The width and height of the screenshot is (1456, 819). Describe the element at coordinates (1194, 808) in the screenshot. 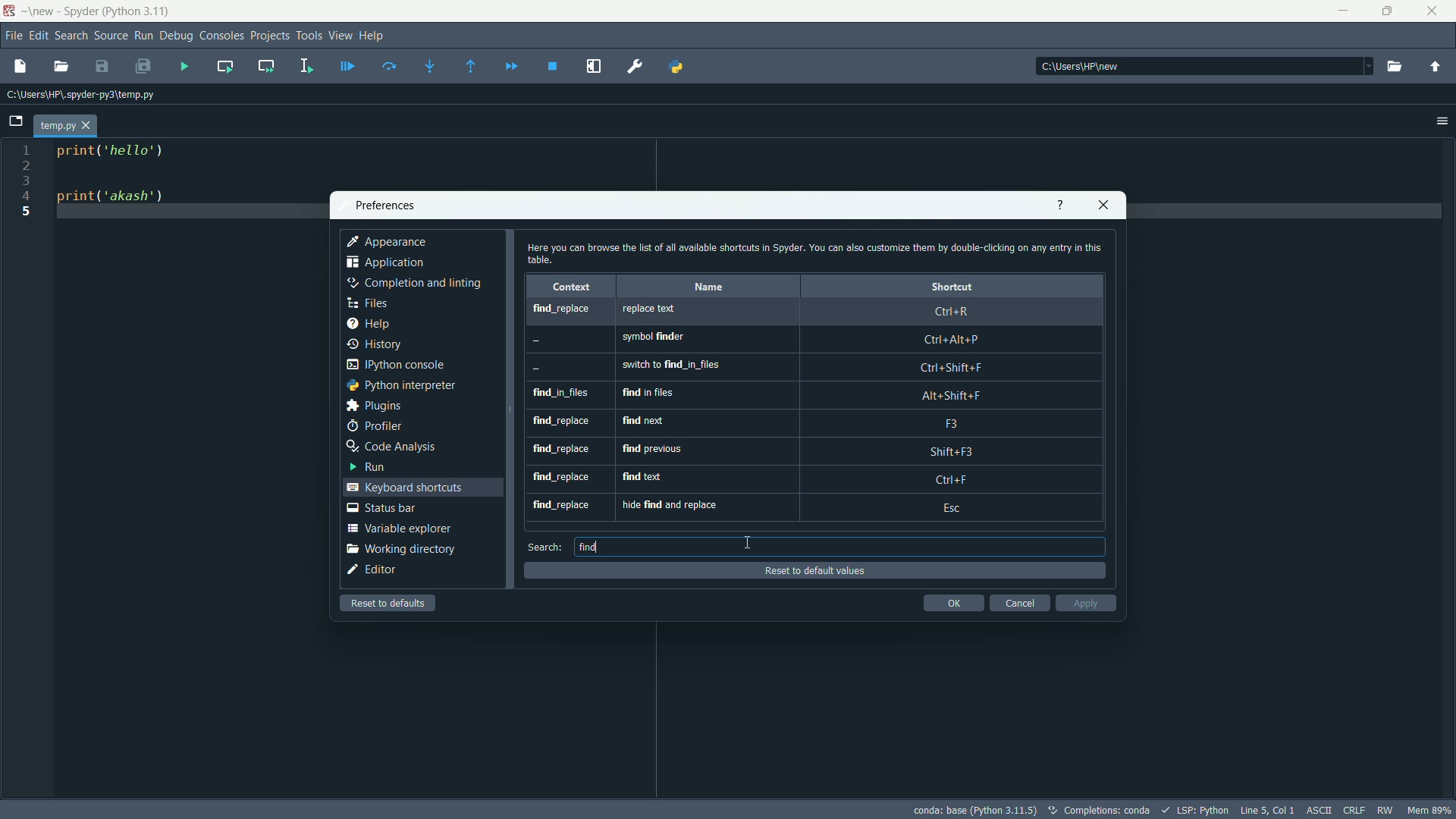

I see `LSP:Python` at that location.